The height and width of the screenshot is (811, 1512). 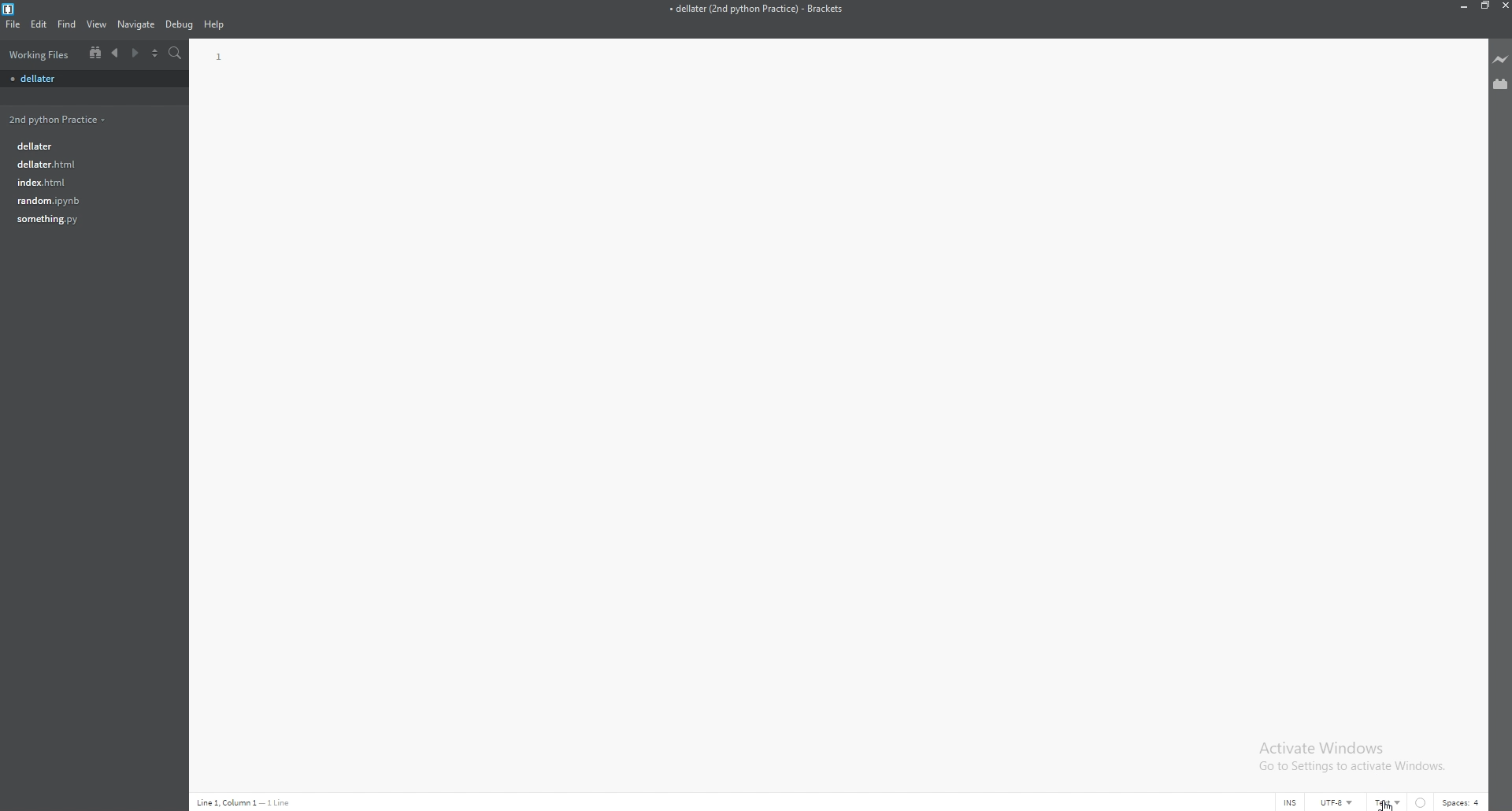 I want to click on file, so click(x=13, y=24).